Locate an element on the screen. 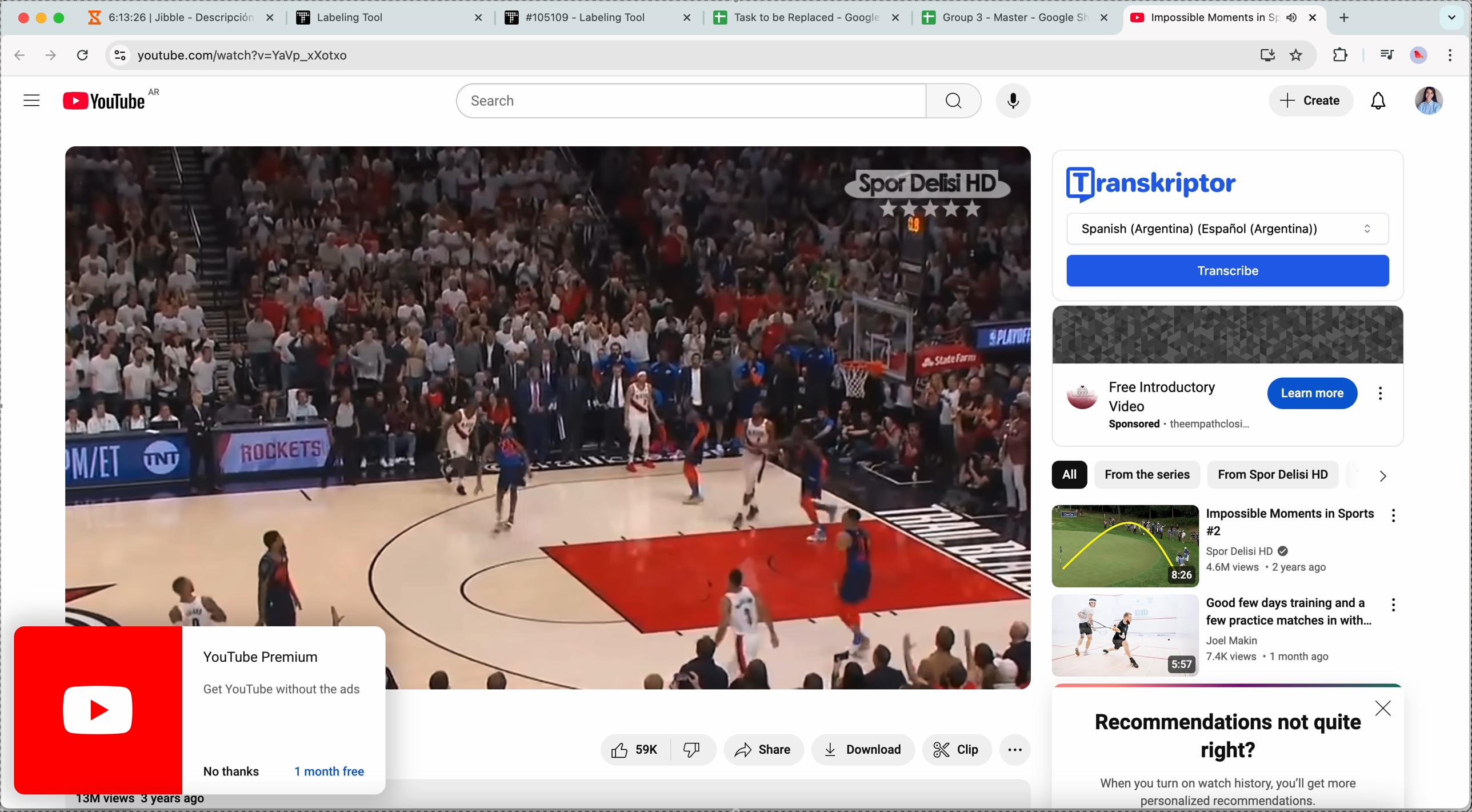 This screenshot has width=1472, height=812. URL is located at coordinates (249, 56).